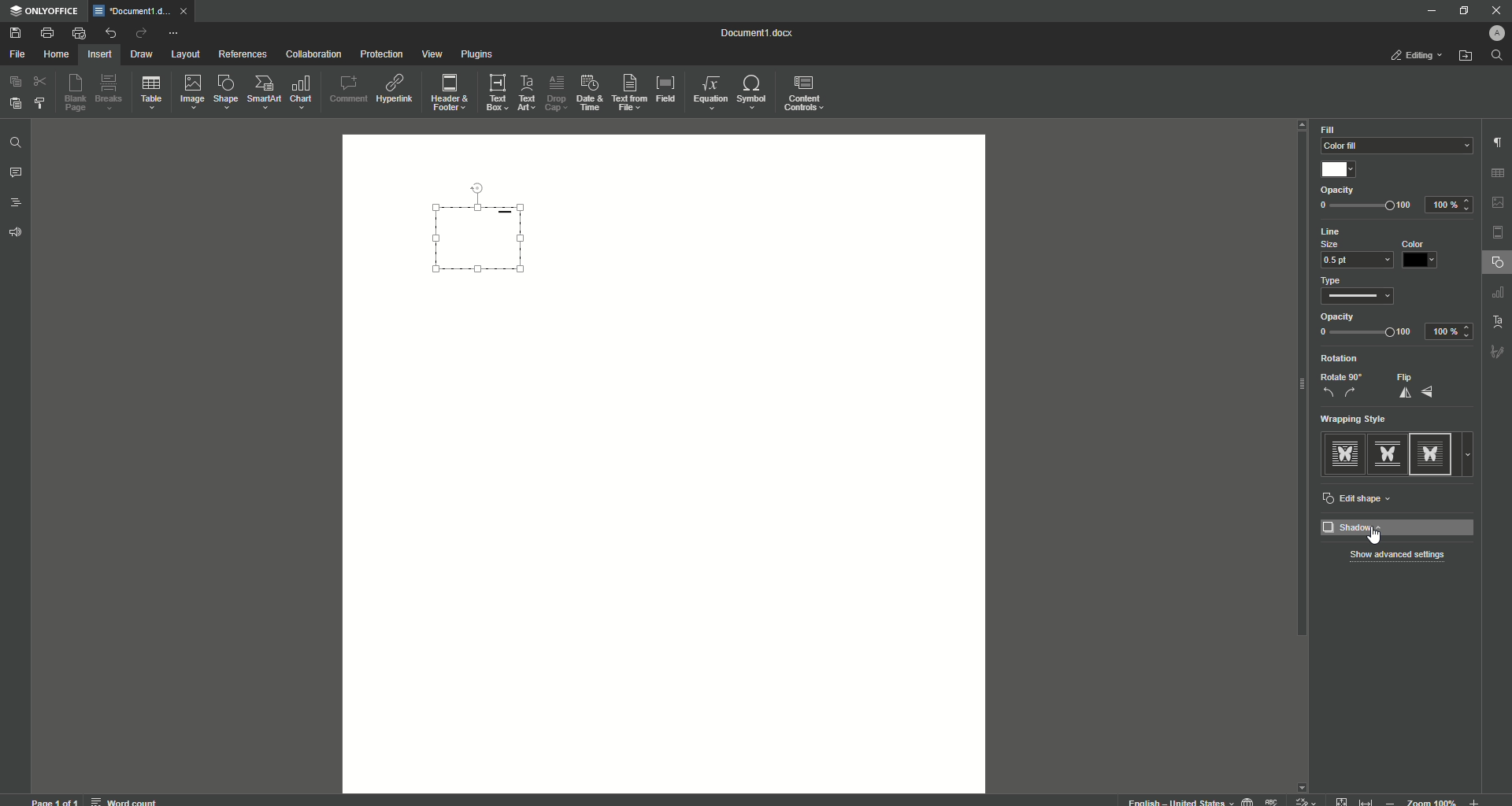 The image size is (1512, 806). What do you see at coordinates (1398, 556) in the screenshot?
I see `Show advanced settings` at bounding box center [1398, 556].